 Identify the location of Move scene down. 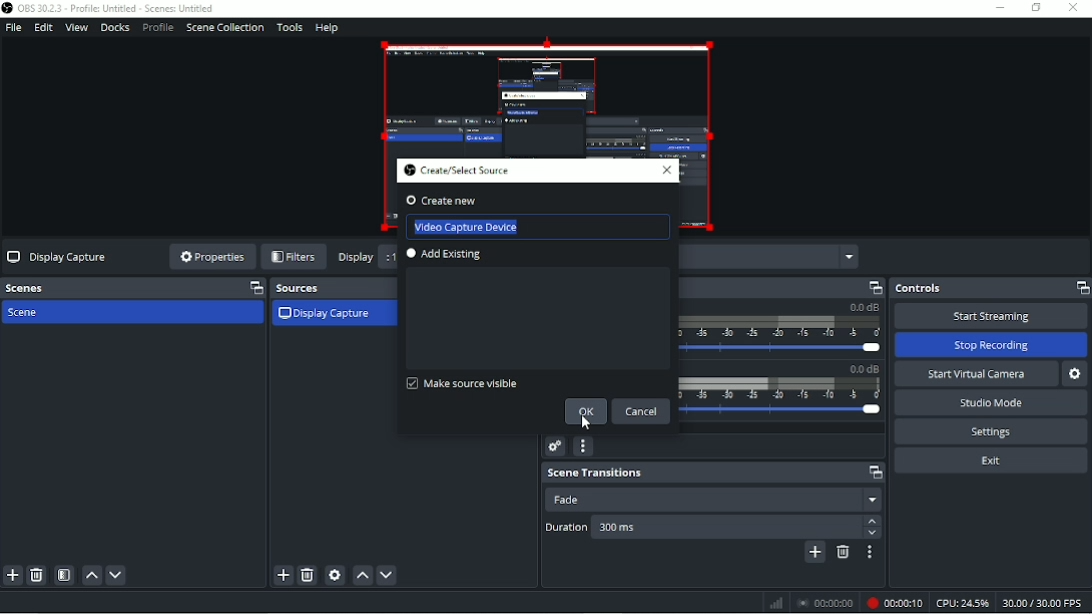
(116, 577).